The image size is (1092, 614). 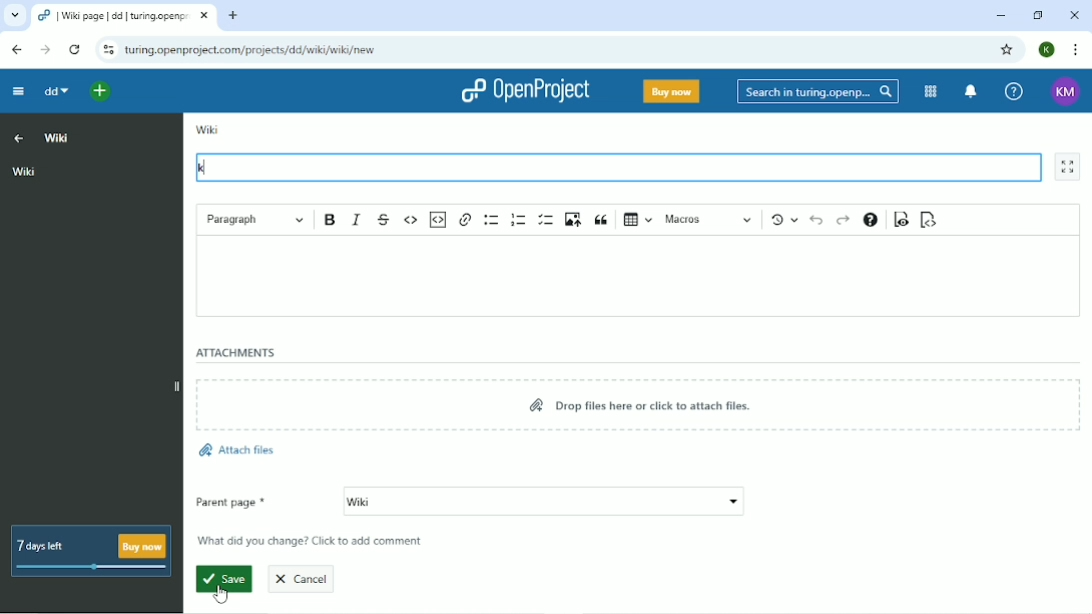 I want to click on Parent page, so click(x=238, y=501).